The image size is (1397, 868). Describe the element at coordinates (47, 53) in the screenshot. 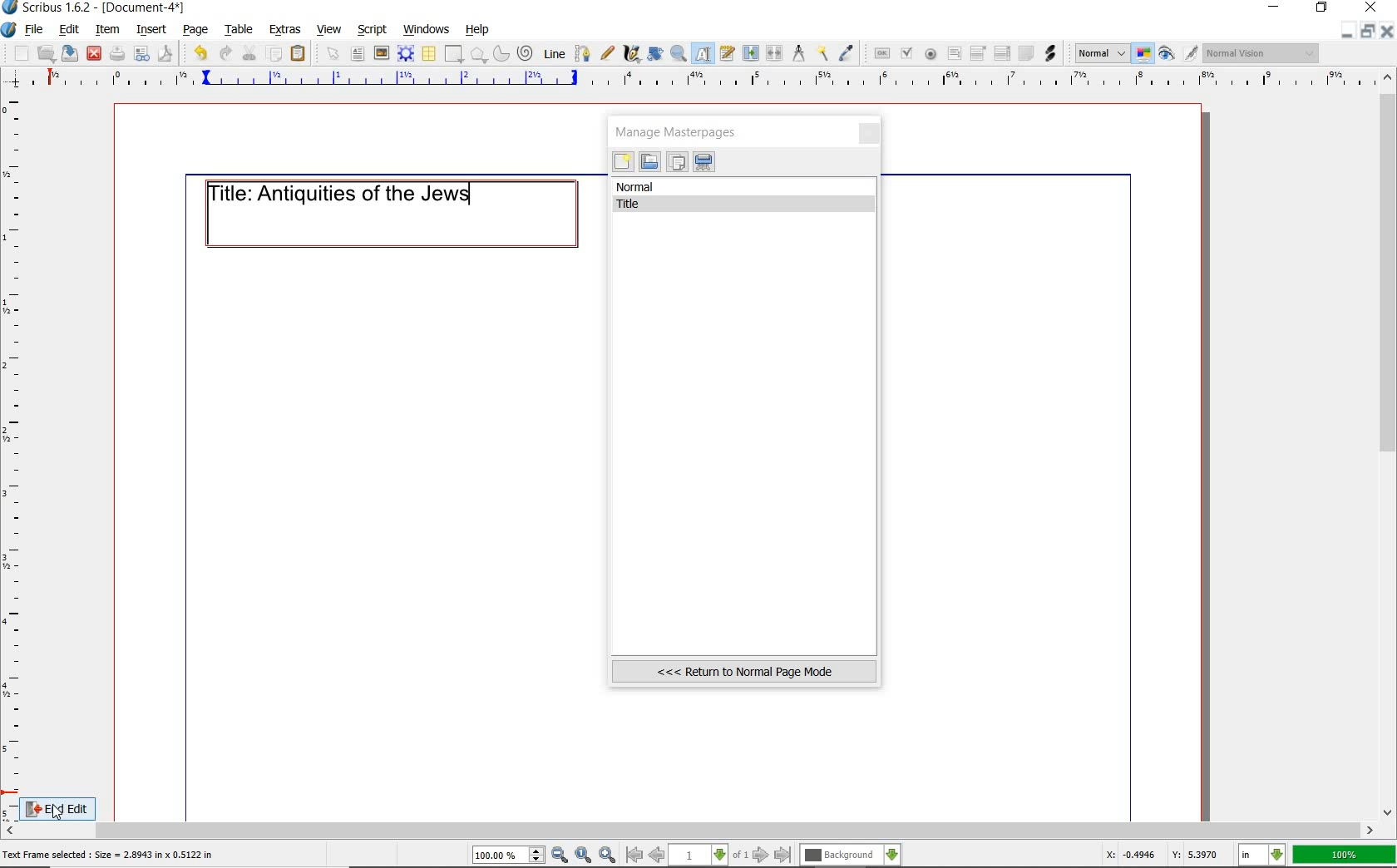

I see `open` at that location.